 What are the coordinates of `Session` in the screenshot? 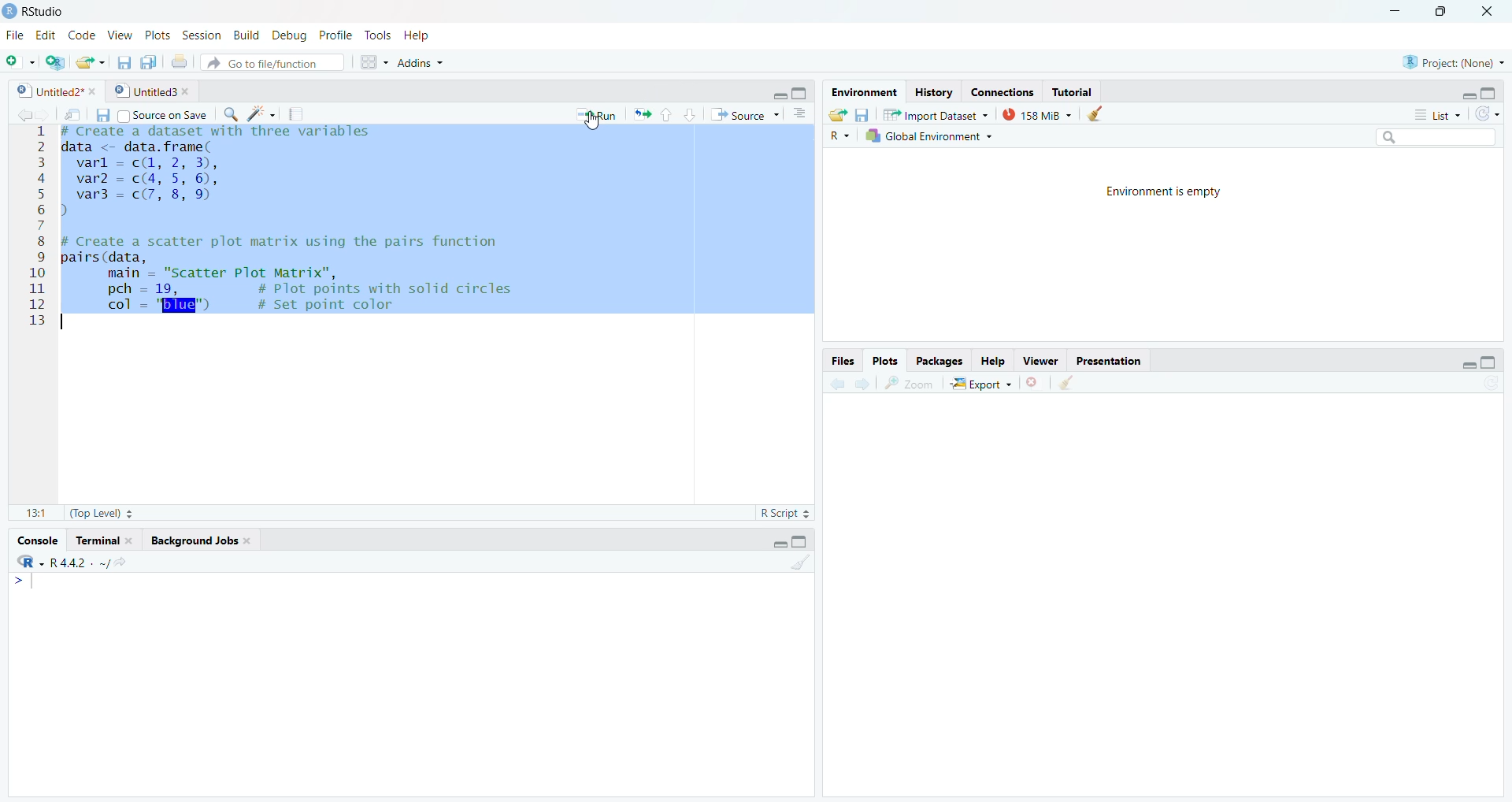 It's located at (202, 33).